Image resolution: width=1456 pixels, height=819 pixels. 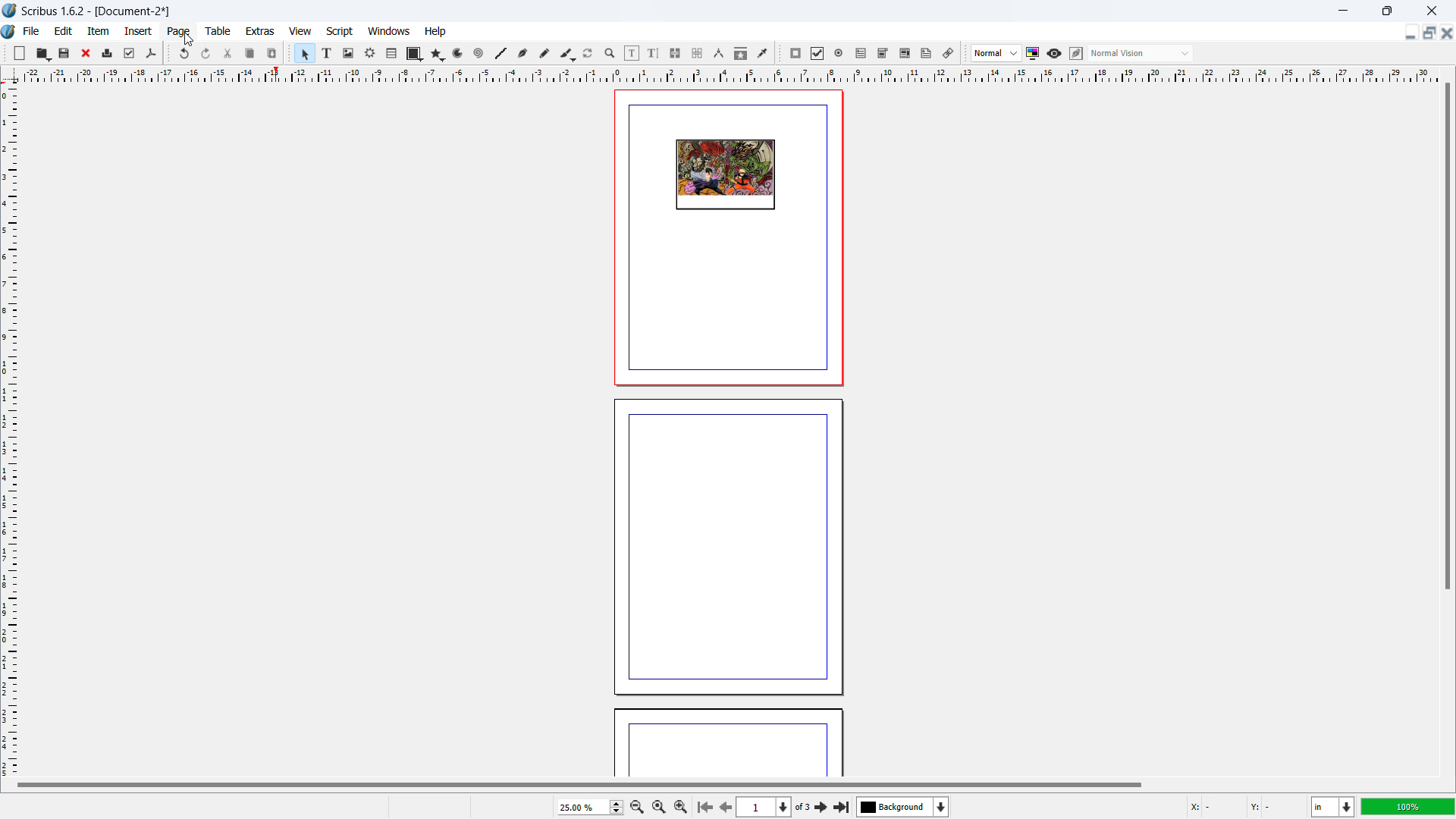 What do you see at coordinates (261, 31) in the screenshot?
I see `extras` at bounding box center [261, 31].